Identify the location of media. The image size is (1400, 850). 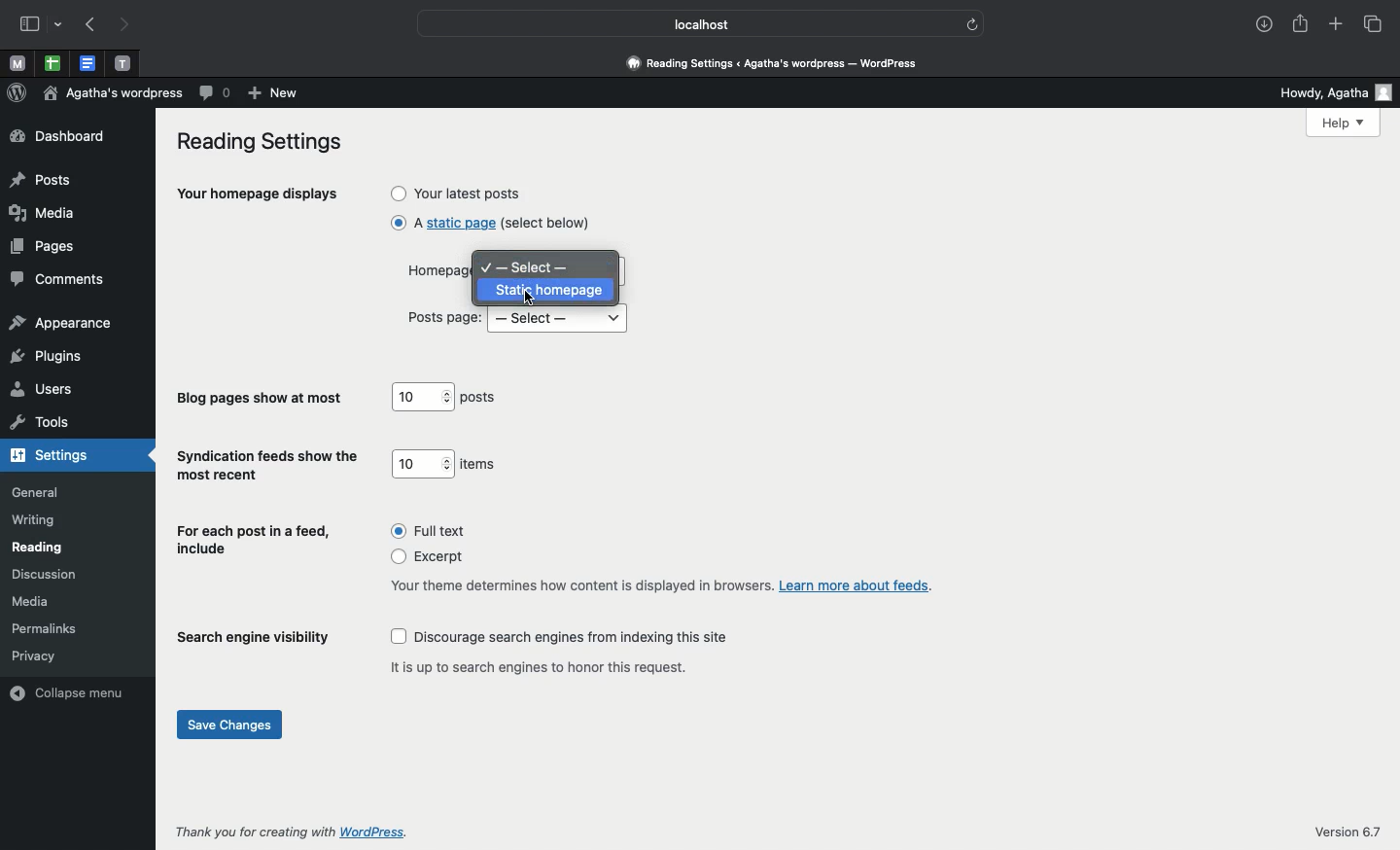
(34, 601).